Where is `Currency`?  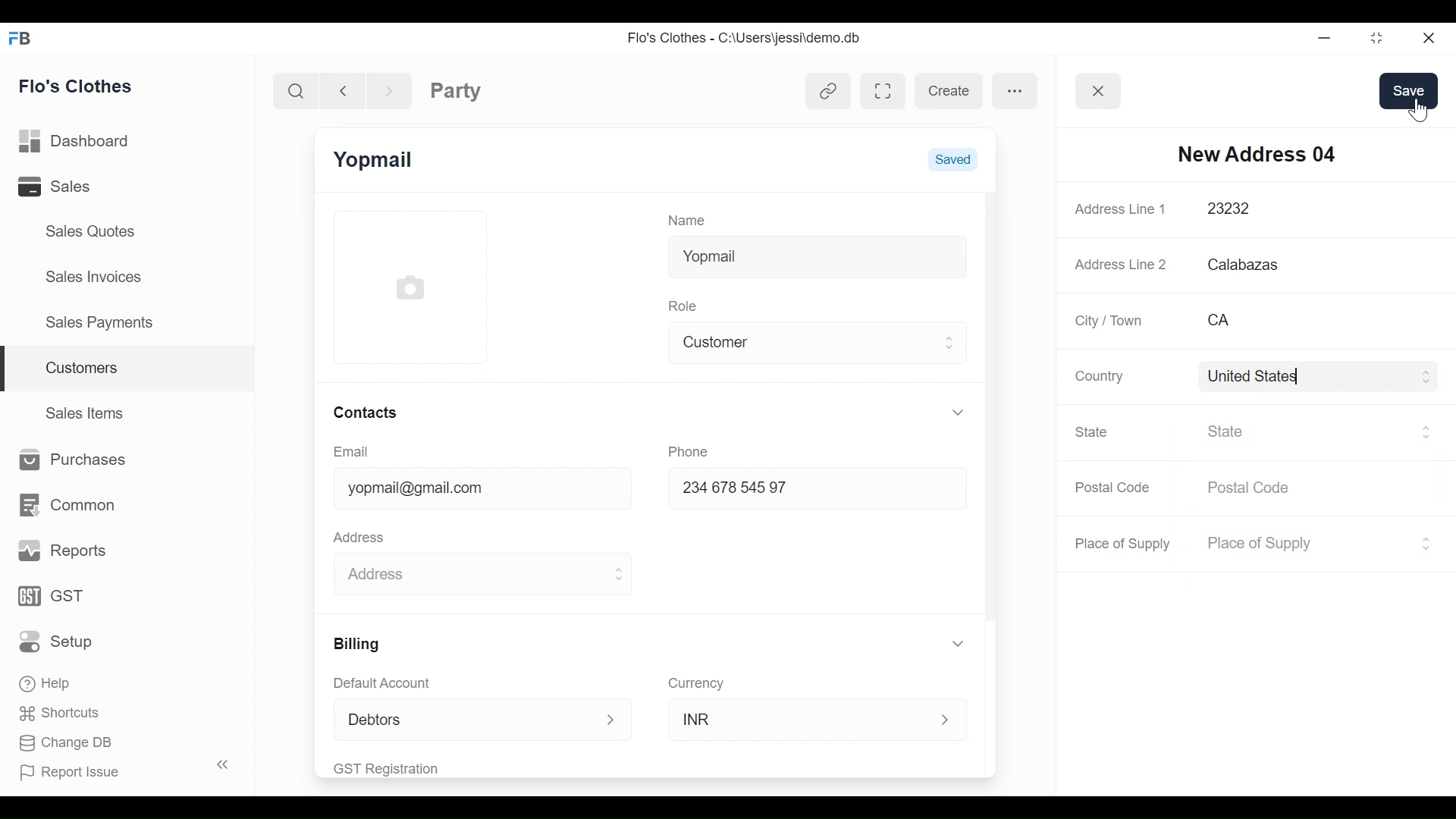
Currency is located at coordinates (697, 682).